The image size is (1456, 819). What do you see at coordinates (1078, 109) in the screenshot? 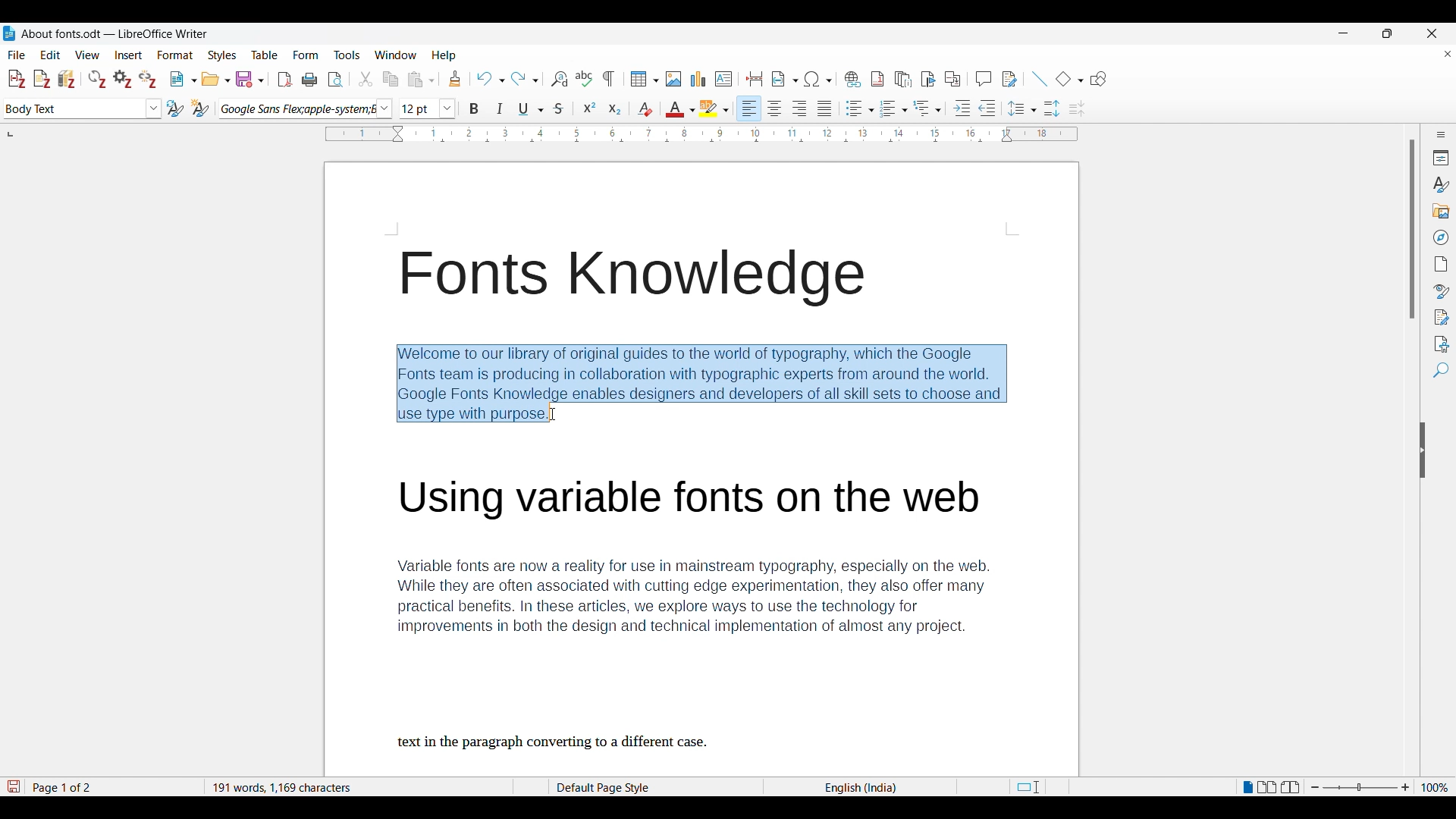
I see `Decrease paragraph spacing` at bounding box center [1078, 109].